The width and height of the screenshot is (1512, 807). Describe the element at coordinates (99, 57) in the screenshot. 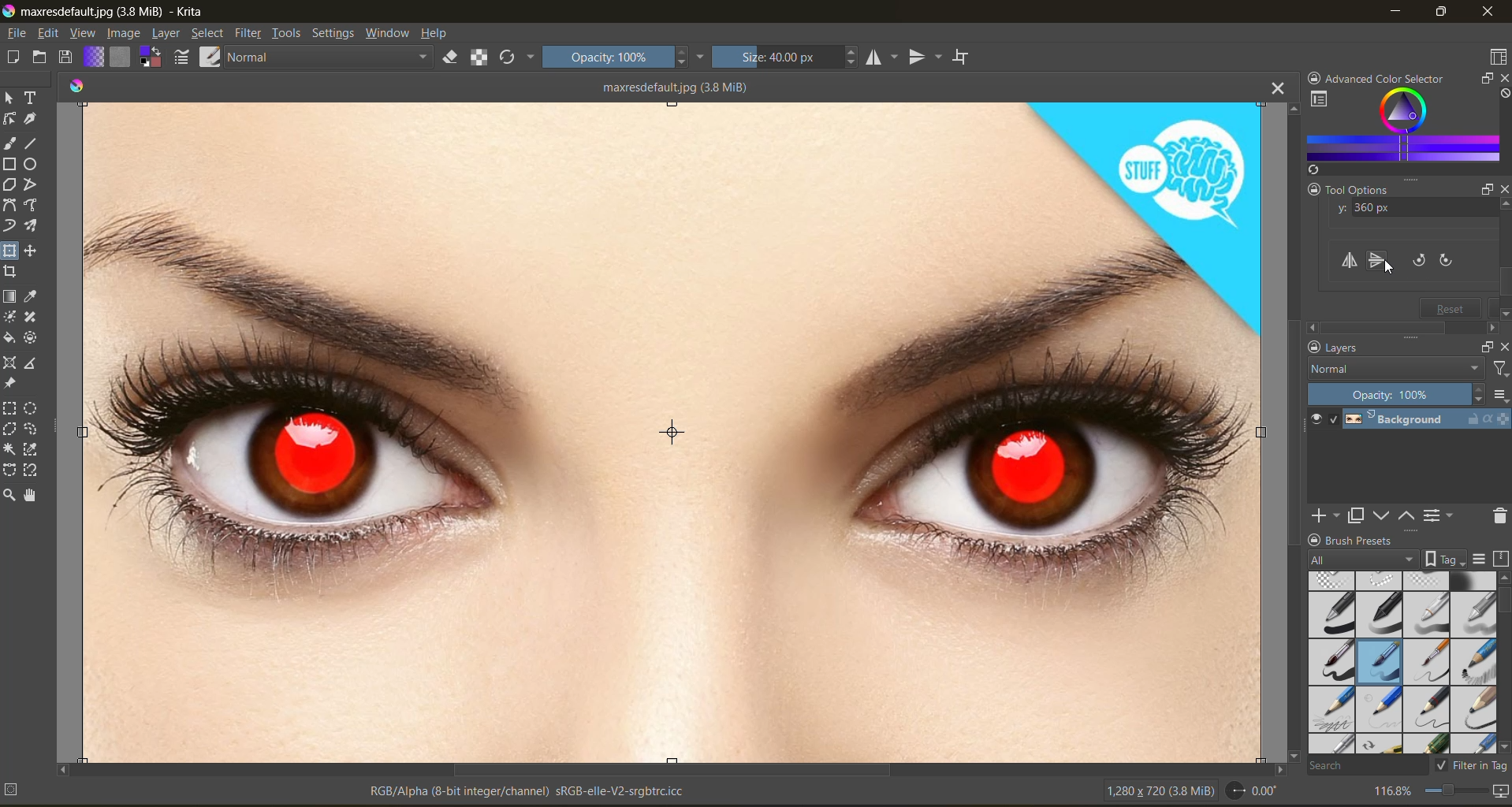

I see `fill gradients` at that location.